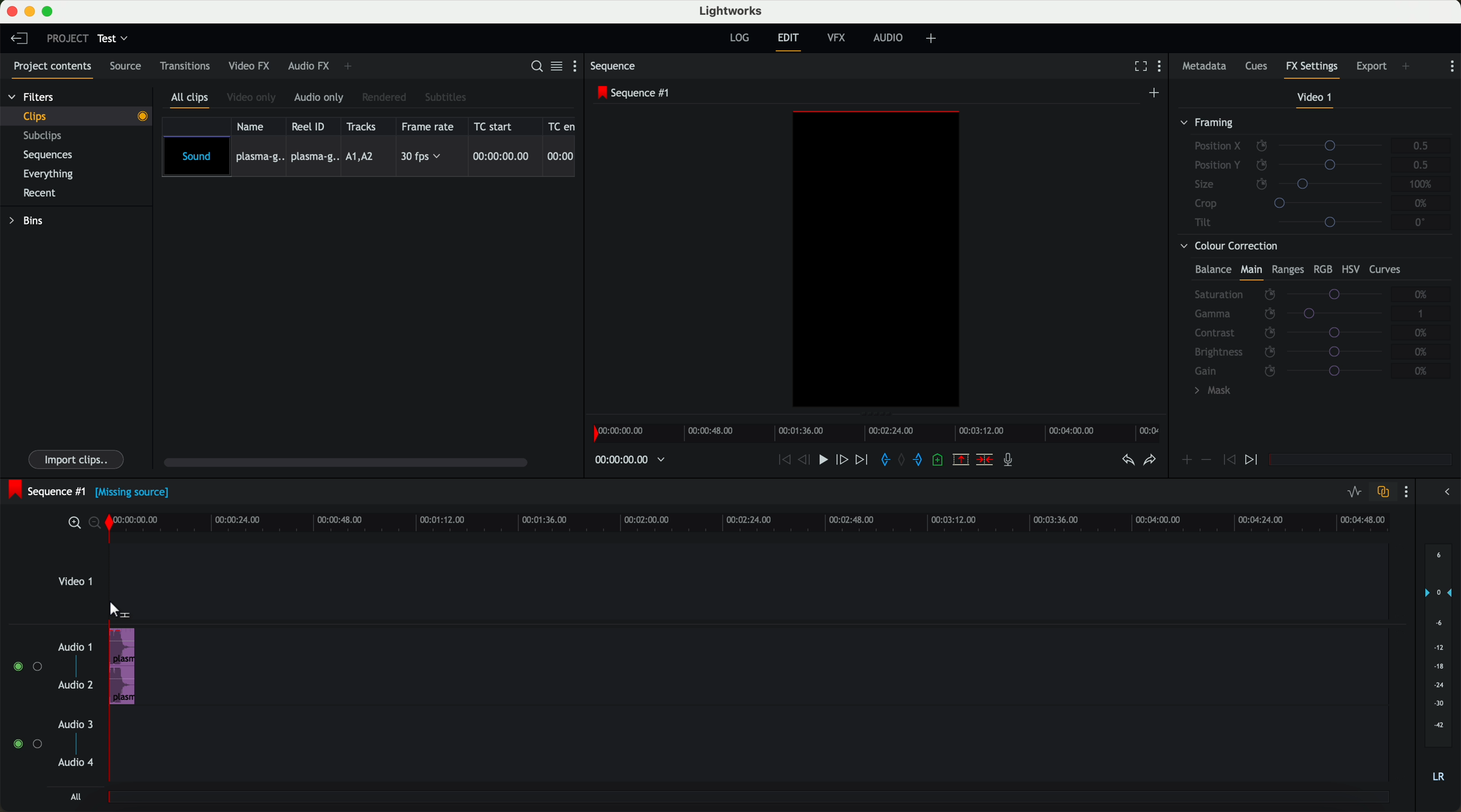 This screenshot has width=1461, height=812. Describe the element at coordinates (308, 66) in the screenshot. I see `audio FX` at that location.